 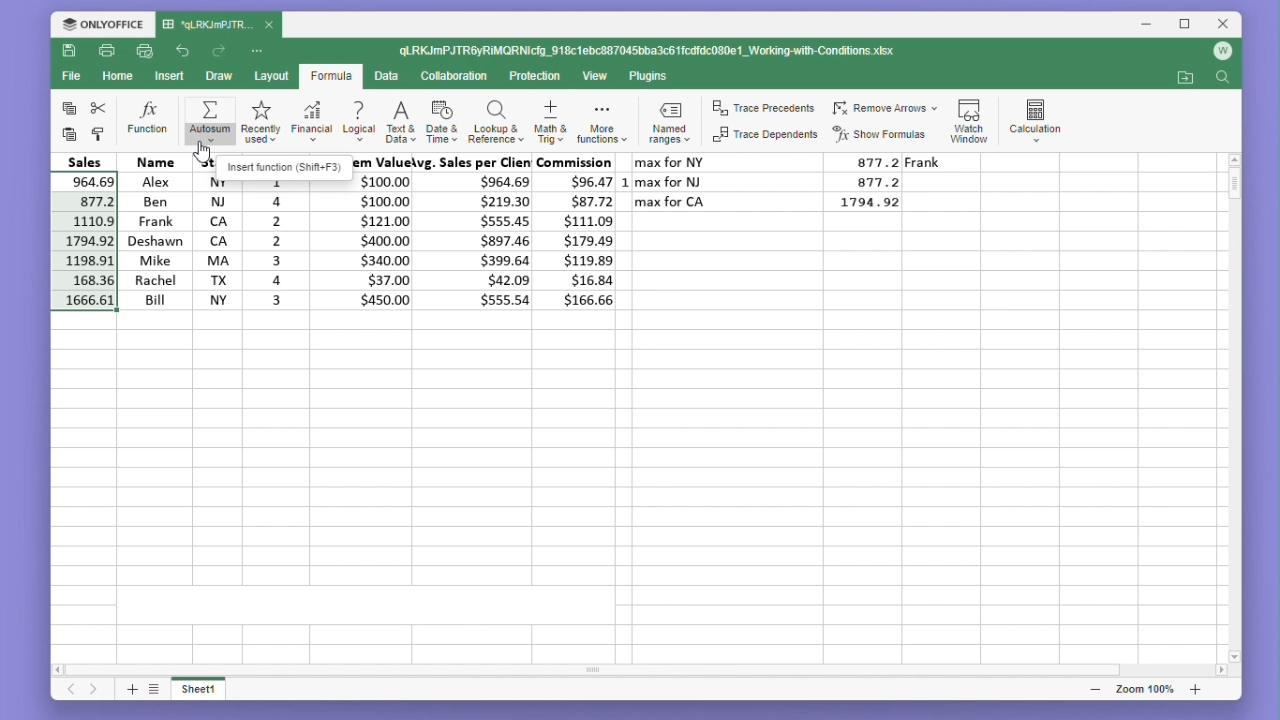 I want to click on Data, so click(x=385, y=76).